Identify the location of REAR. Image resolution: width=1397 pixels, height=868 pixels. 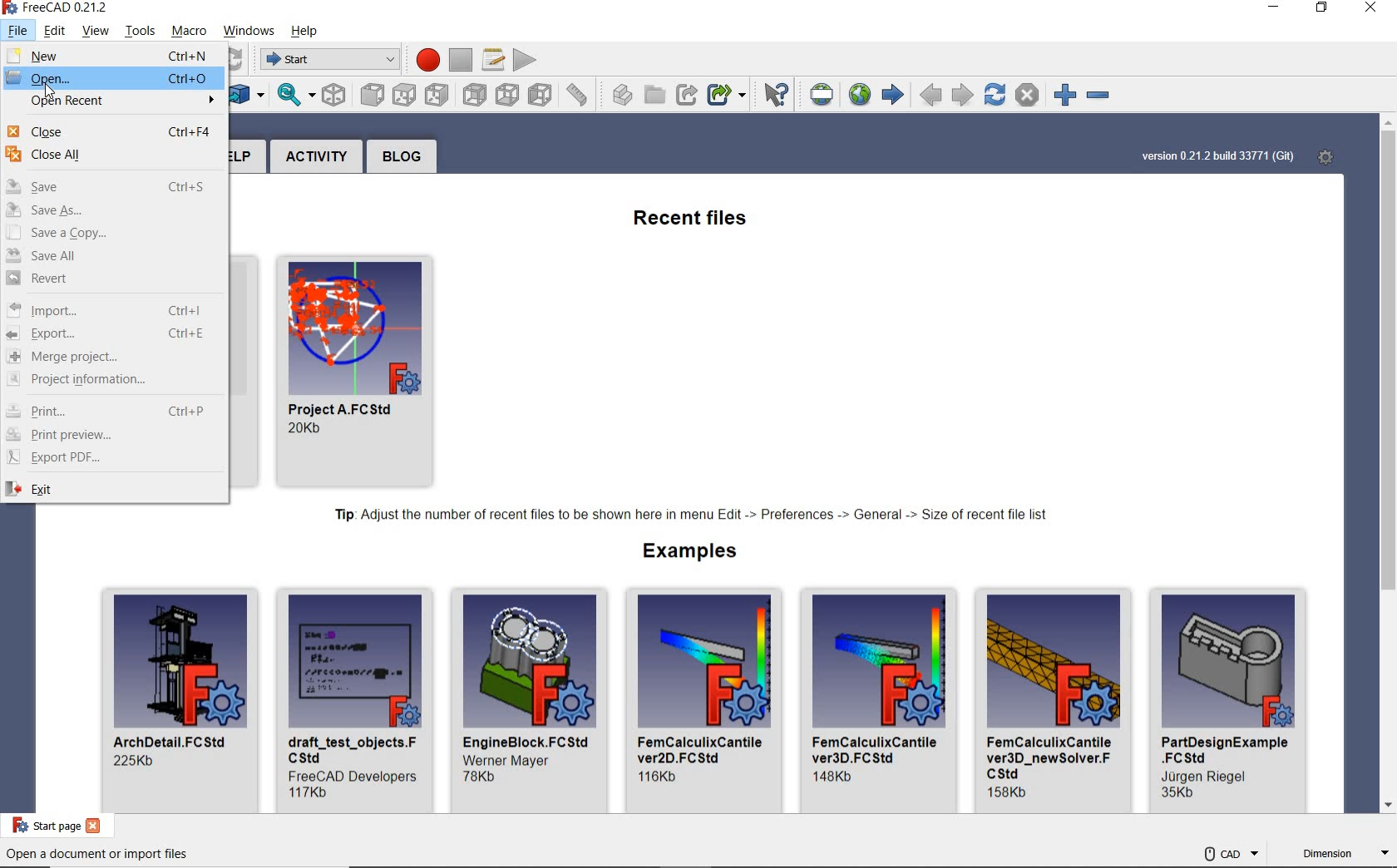
(475, 96).